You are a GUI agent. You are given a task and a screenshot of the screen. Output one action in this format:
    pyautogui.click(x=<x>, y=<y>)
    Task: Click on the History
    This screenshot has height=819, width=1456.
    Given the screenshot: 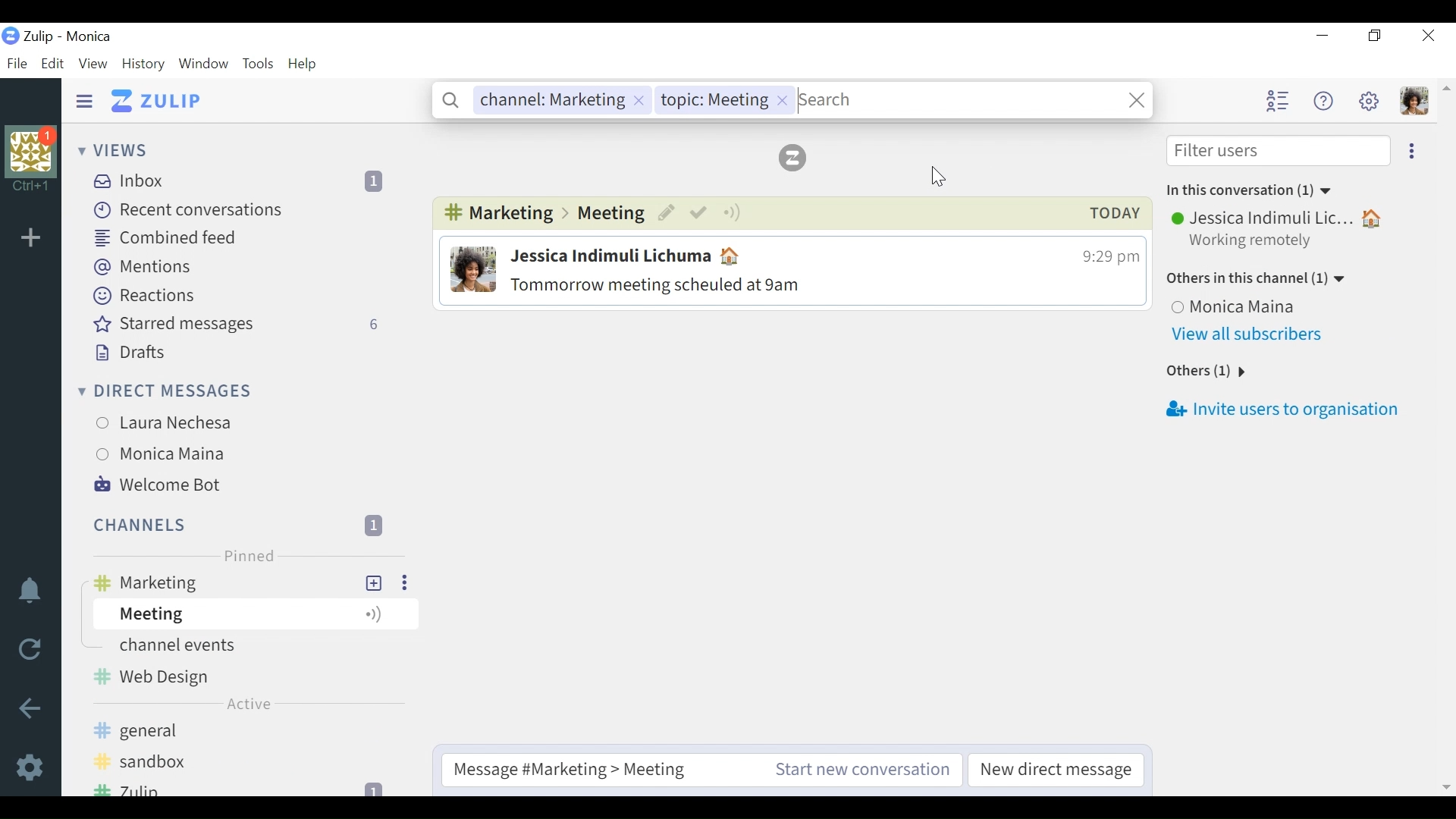 What is the action you would take?
    pyautogui.click(x=143, y=64)
    